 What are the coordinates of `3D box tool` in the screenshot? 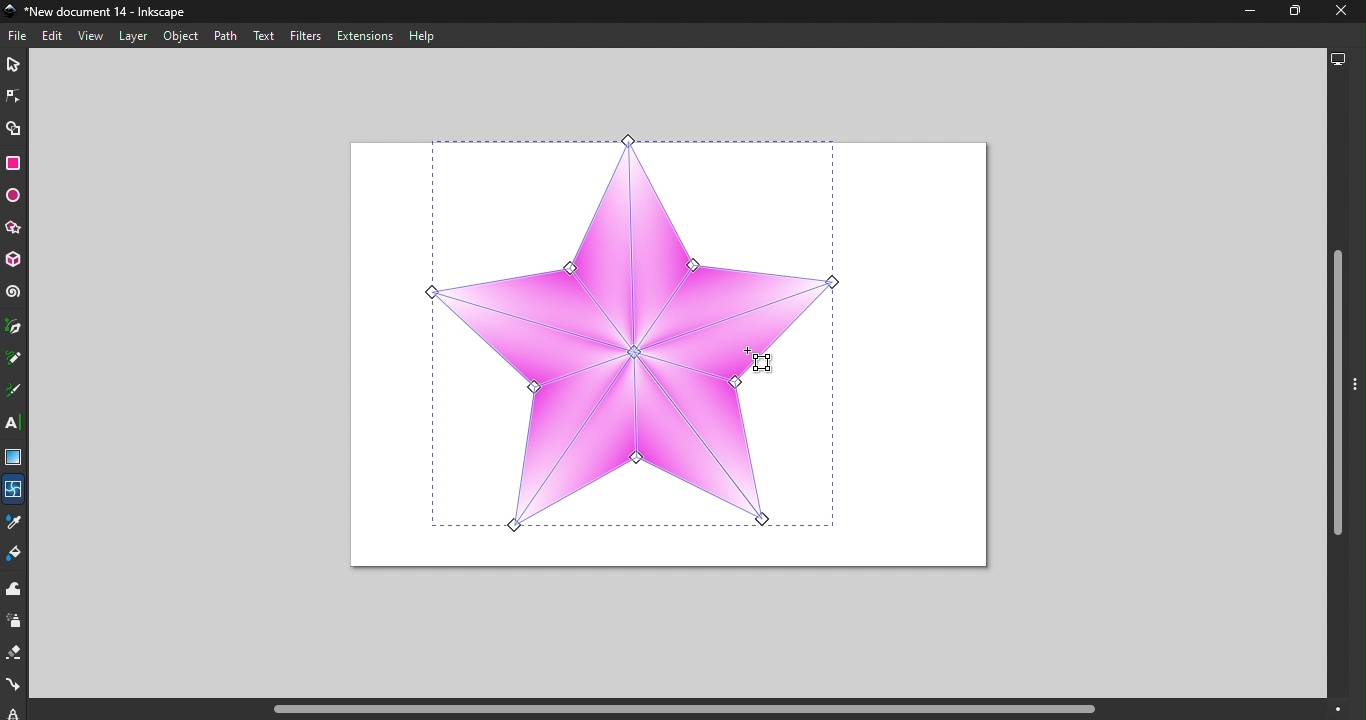 It's located at (15, 262).